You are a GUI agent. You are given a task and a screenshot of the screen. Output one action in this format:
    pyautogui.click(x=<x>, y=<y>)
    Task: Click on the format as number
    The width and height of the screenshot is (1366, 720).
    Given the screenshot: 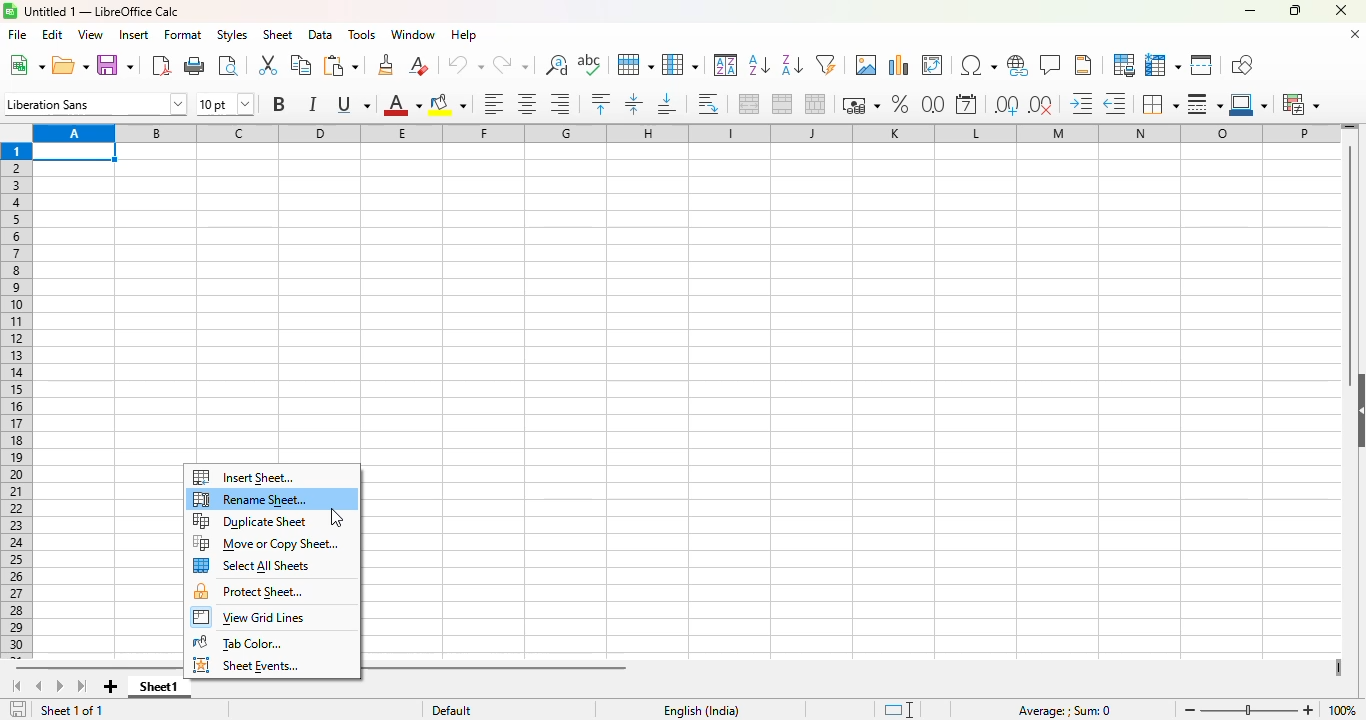 What is the action you would take?
    pyautogui.click(x=933, y=103)
    